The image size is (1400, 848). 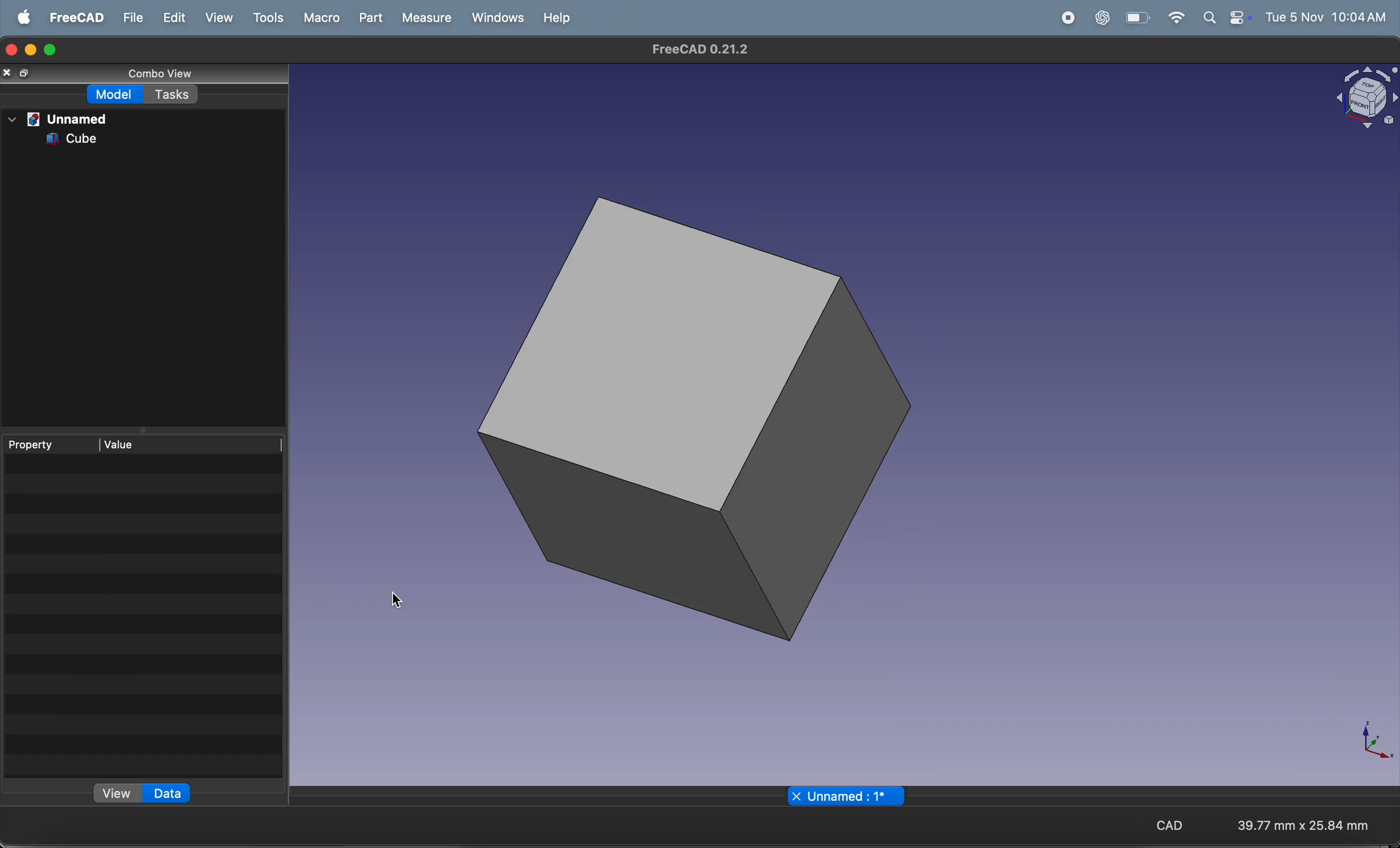 I want to click on model, so click(x=110, y=94).